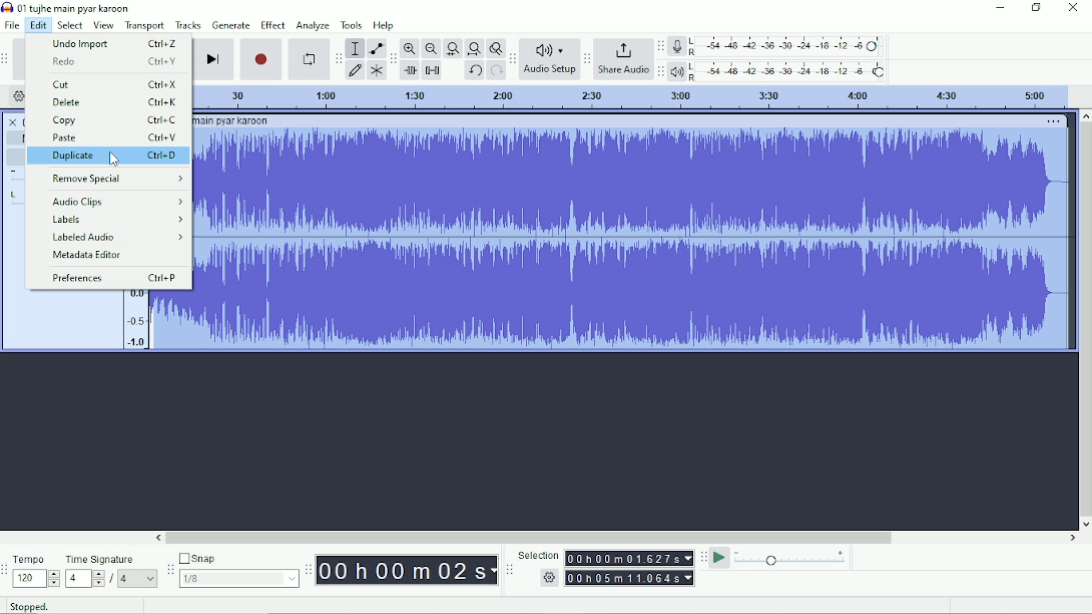 This screenshot has height=614, width=1092. What do you see at coordinates (473, 49) in the screenshot?
I see `Fit project to width` at bounding box center [473, 49].